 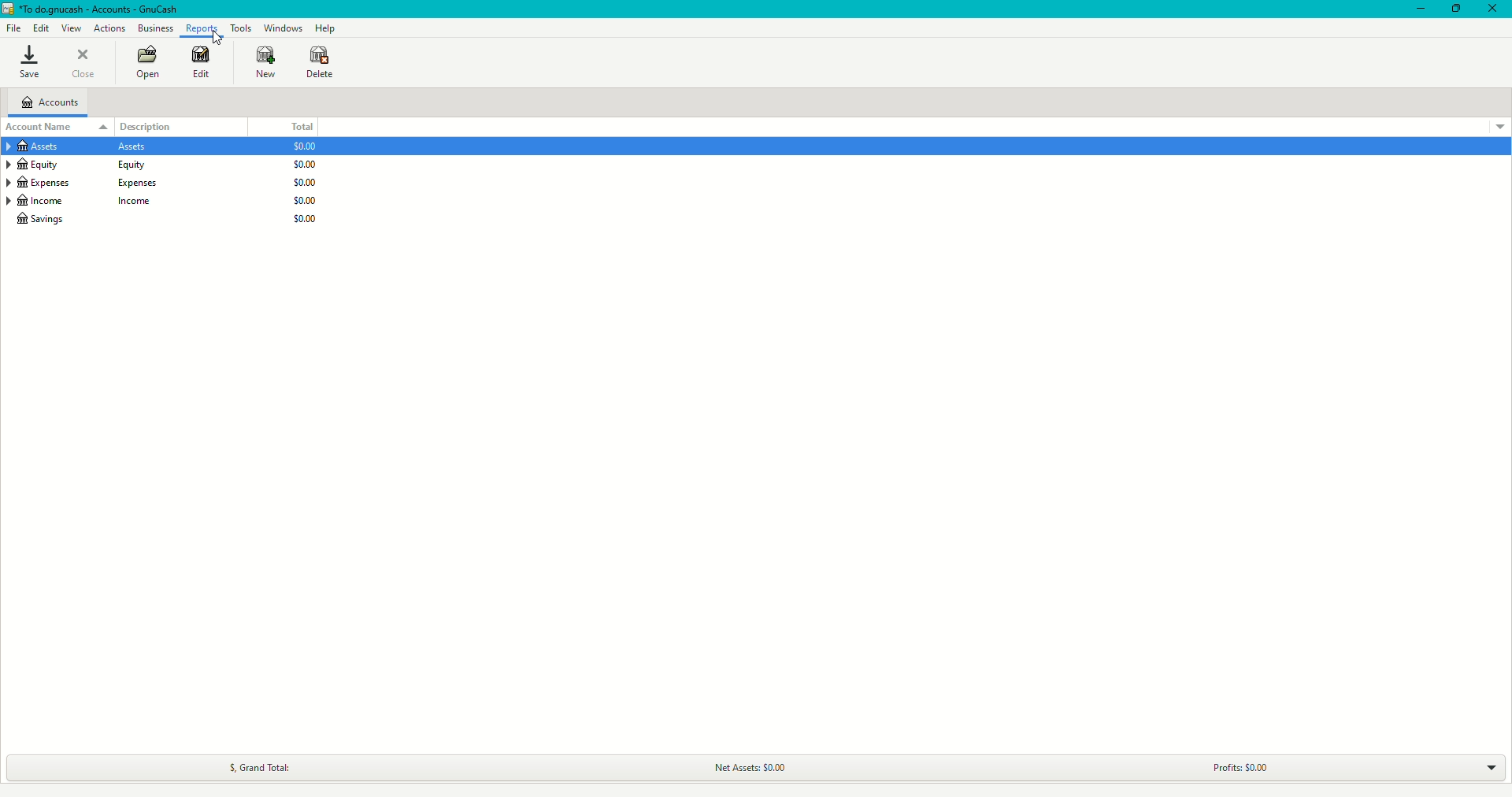 I want to click on Edit, so click(x=197, y=63).